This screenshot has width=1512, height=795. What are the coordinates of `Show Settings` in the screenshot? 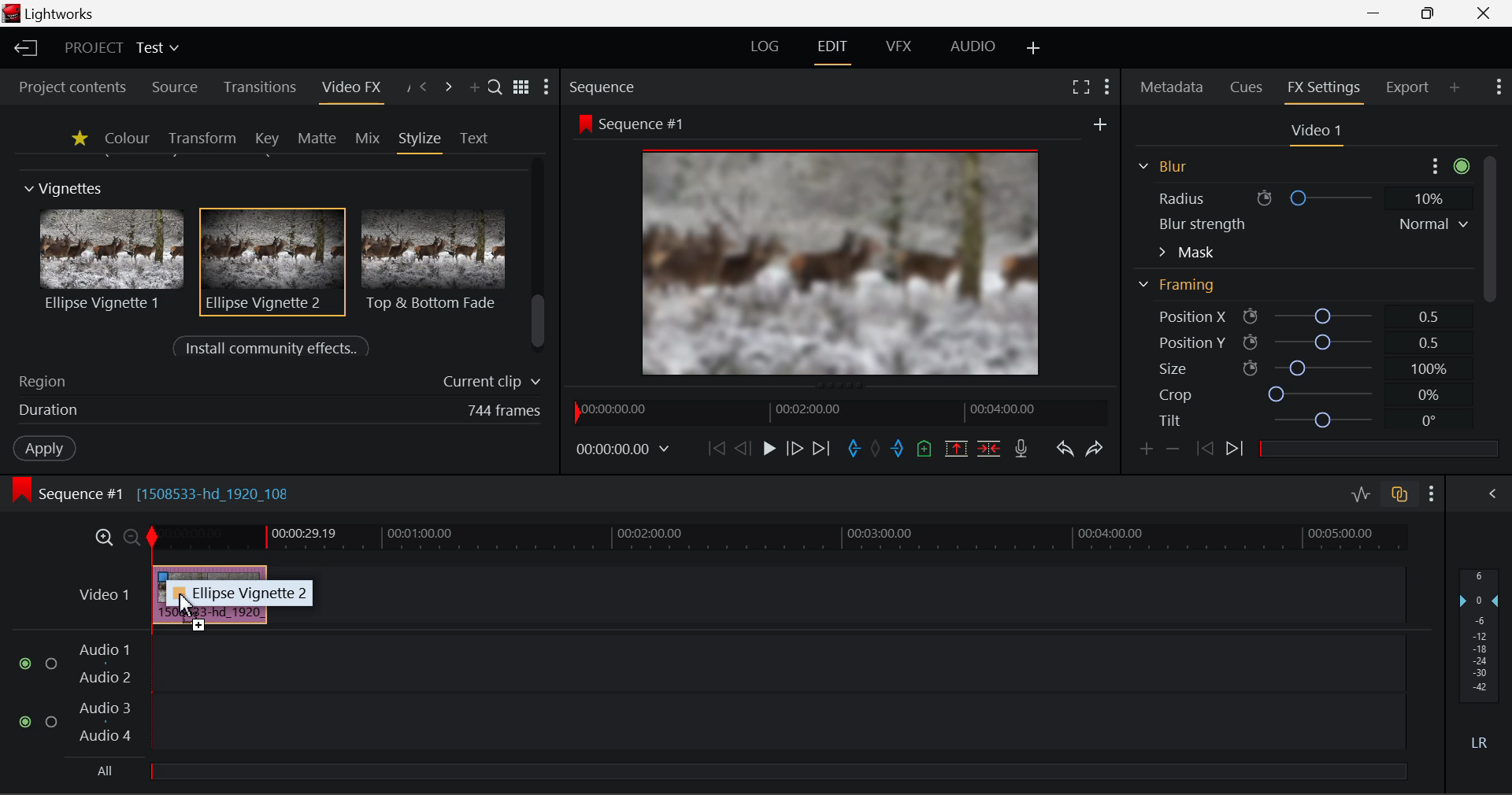 It's located at (1501, 89).